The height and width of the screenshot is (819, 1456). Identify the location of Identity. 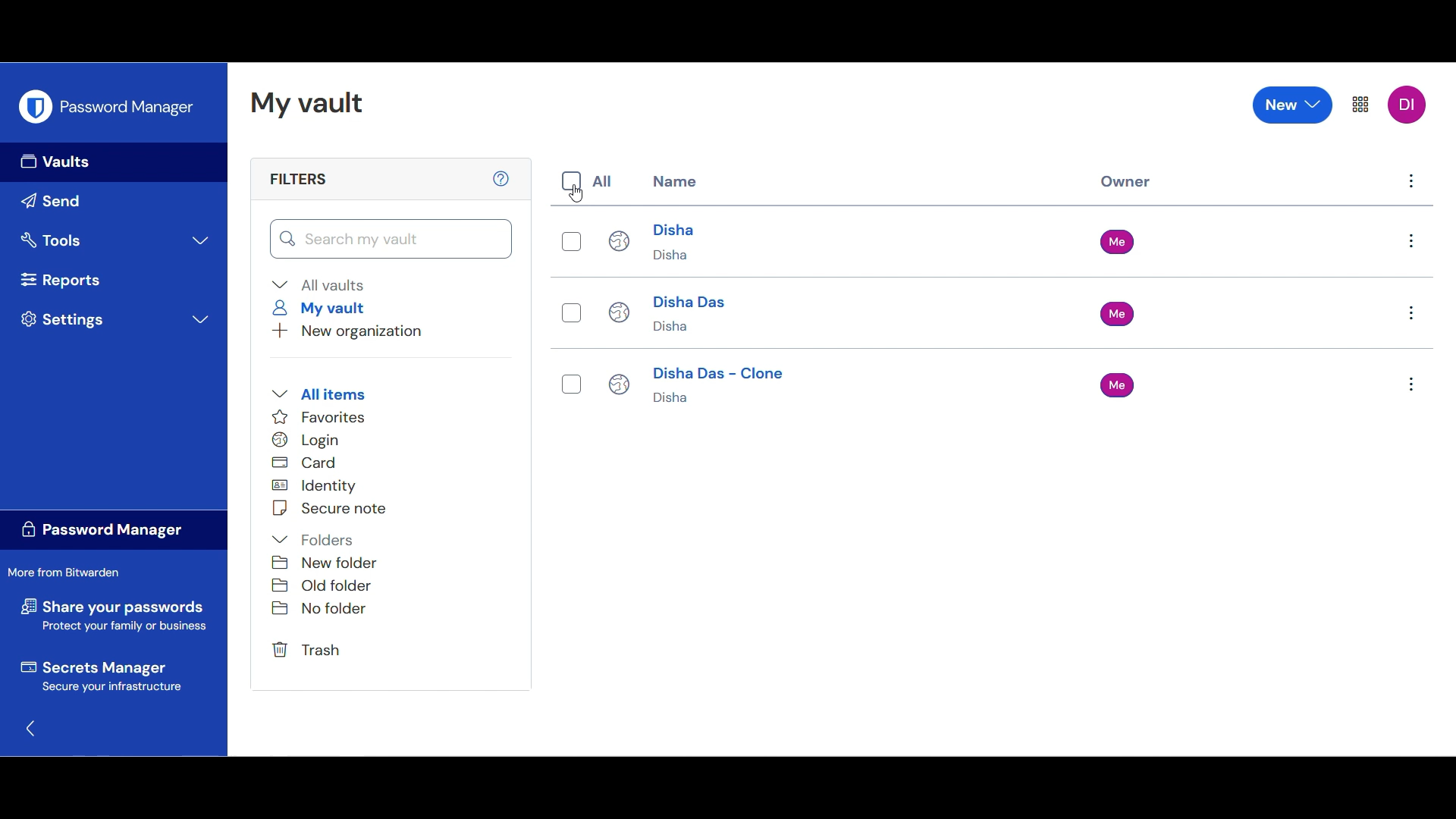
(324, 486).